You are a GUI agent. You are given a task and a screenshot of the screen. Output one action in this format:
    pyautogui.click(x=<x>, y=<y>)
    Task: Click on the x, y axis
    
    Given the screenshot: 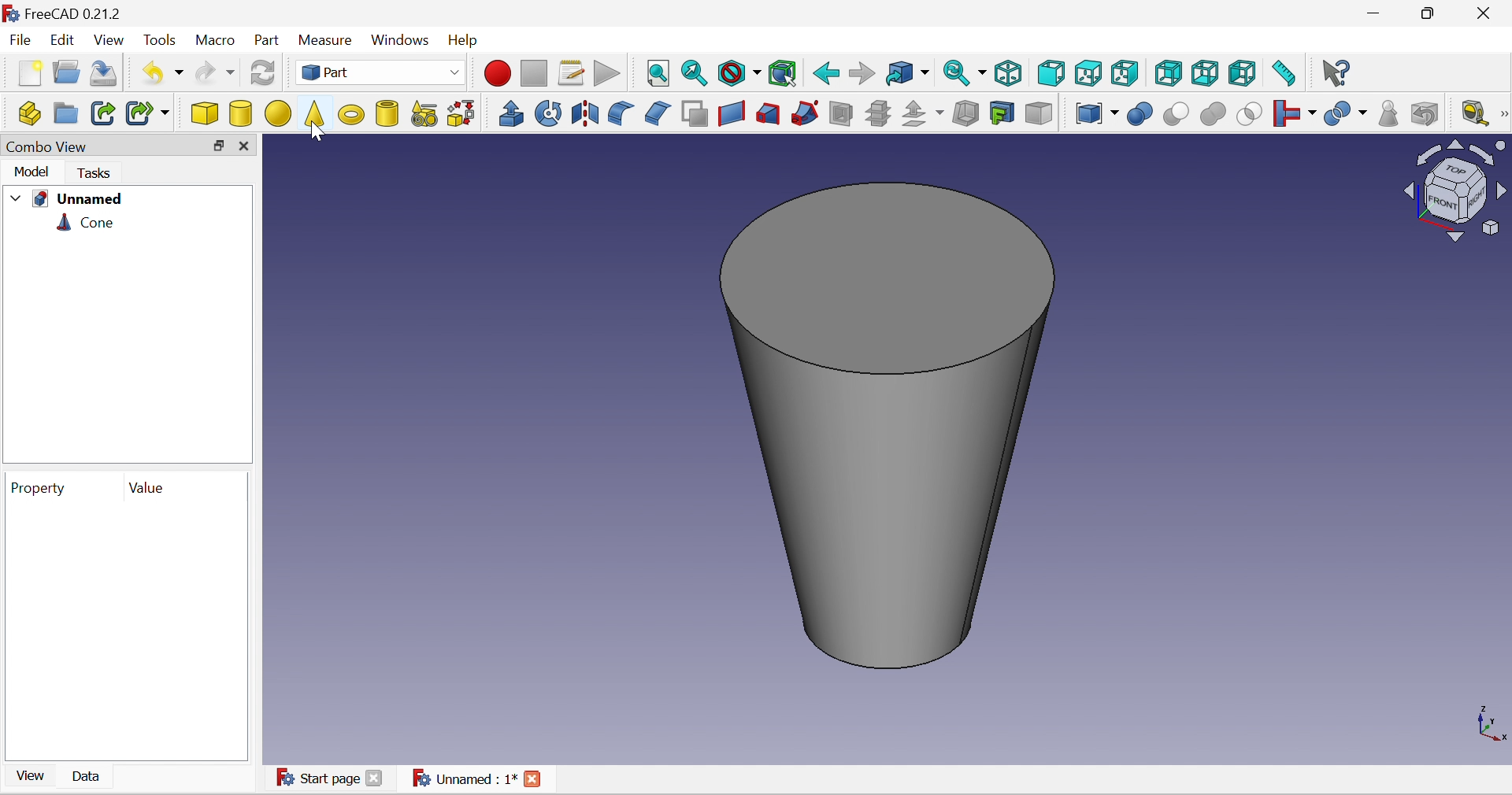 What is the action you would take?
    pyautogui.click(x=1492, y=721)
    